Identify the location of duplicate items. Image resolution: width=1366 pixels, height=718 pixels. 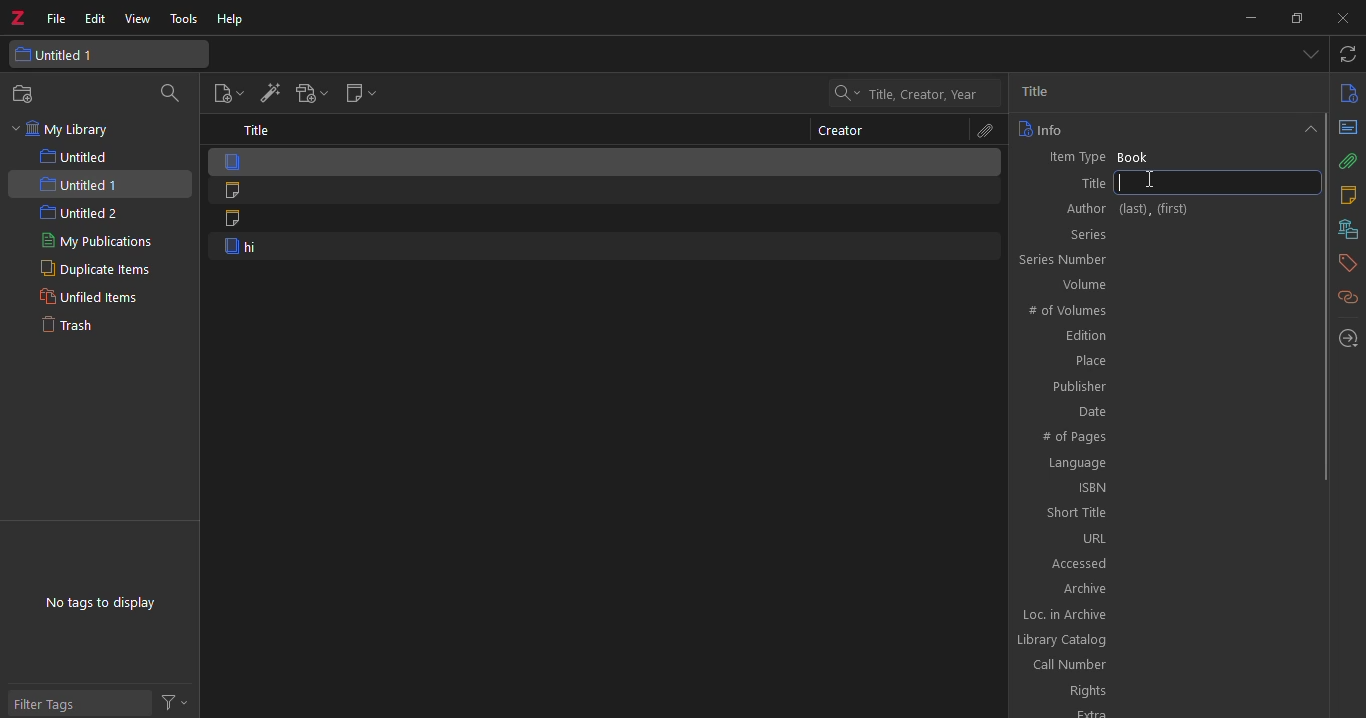
(88, 271).